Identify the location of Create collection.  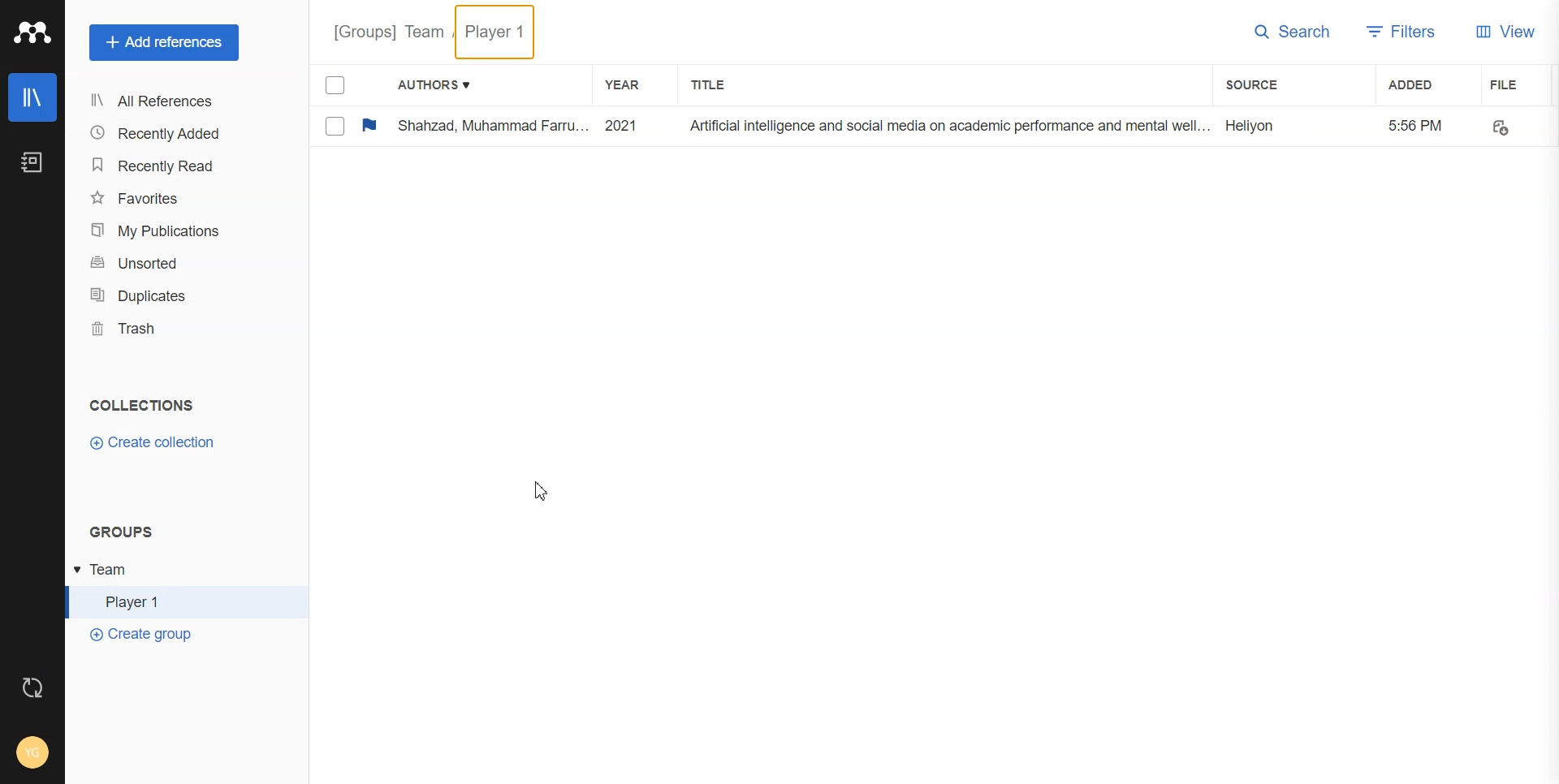
(154, 442).